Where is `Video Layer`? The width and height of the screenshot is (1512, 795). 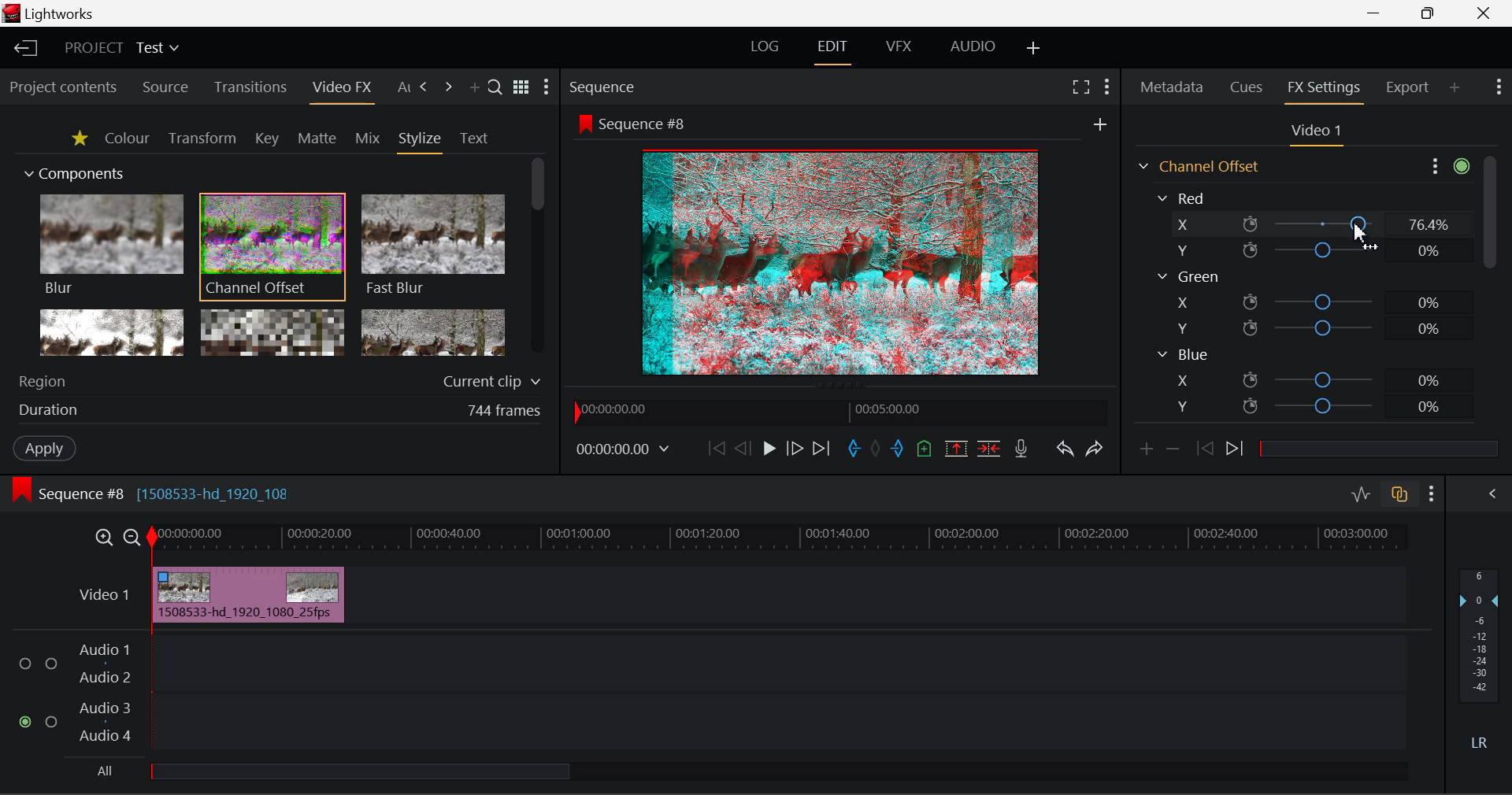
Video Layer is located at coordinates (106, 598).